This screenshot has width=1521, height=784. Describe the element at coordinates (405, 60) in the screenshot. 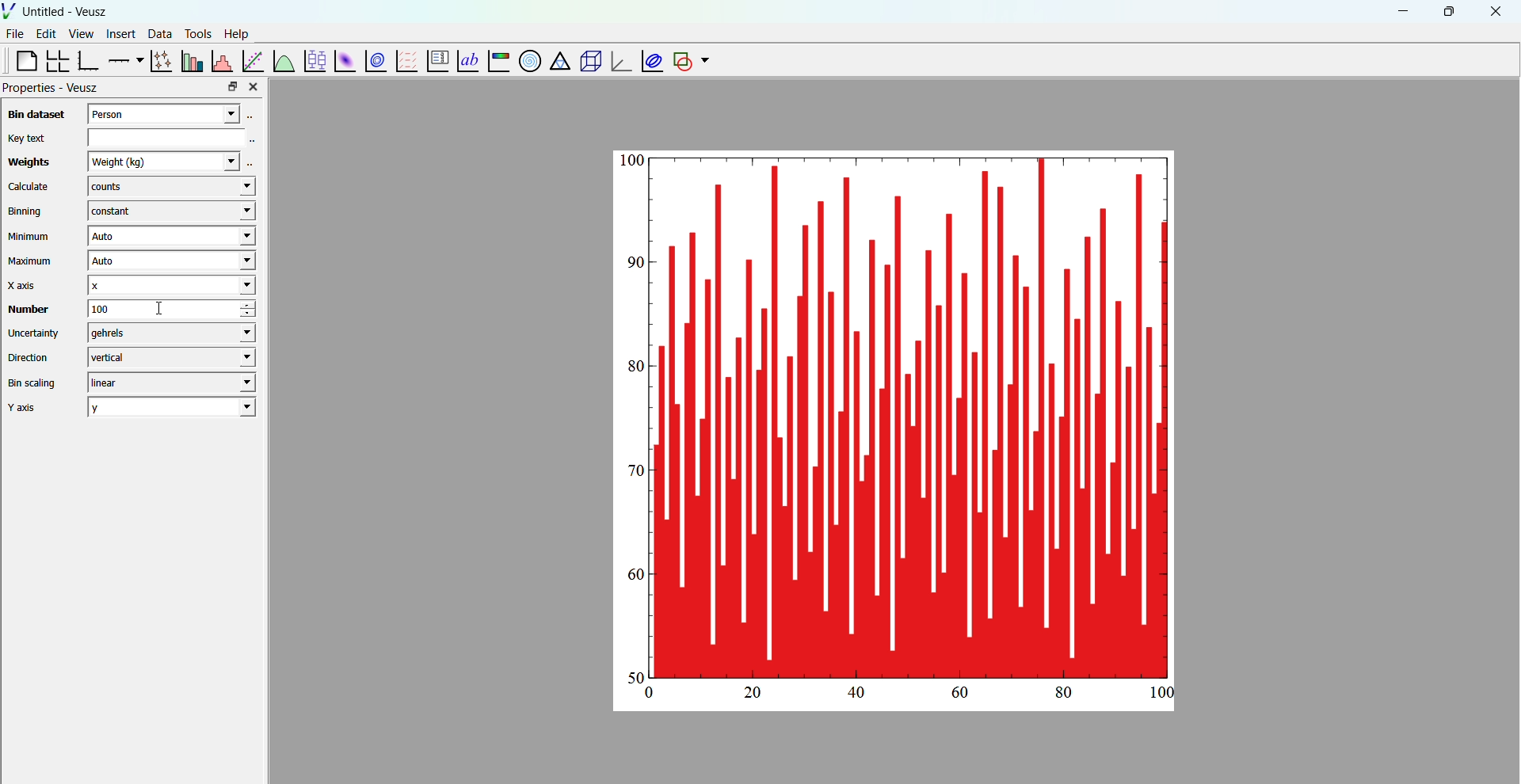

I see `plot a vector table` at that location.